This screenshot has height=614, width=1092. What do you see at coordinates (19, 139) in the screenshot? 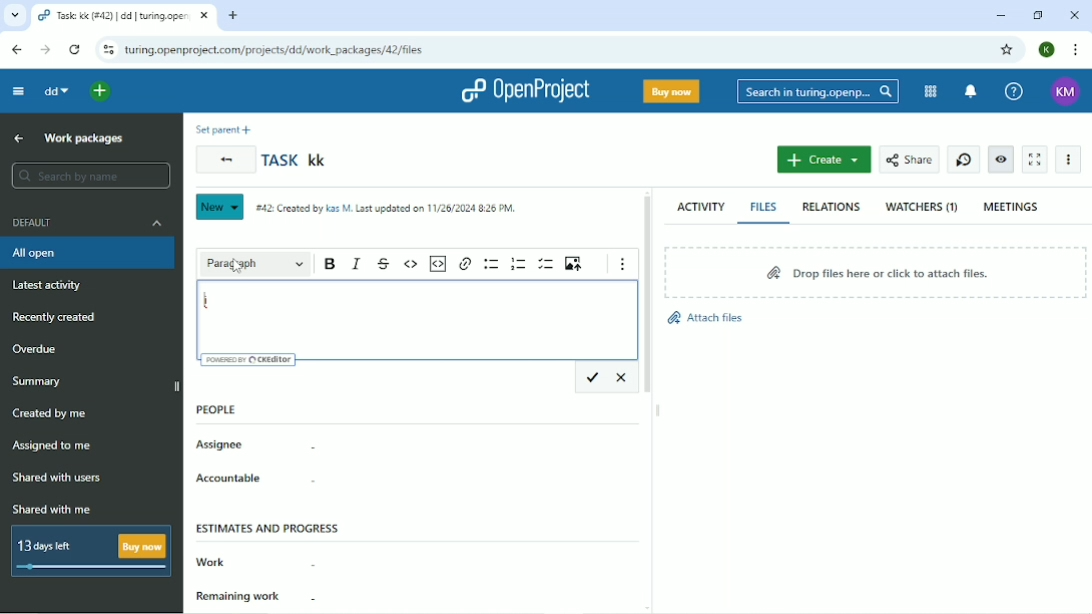
I see `Up` at bounding box center [19, 139].